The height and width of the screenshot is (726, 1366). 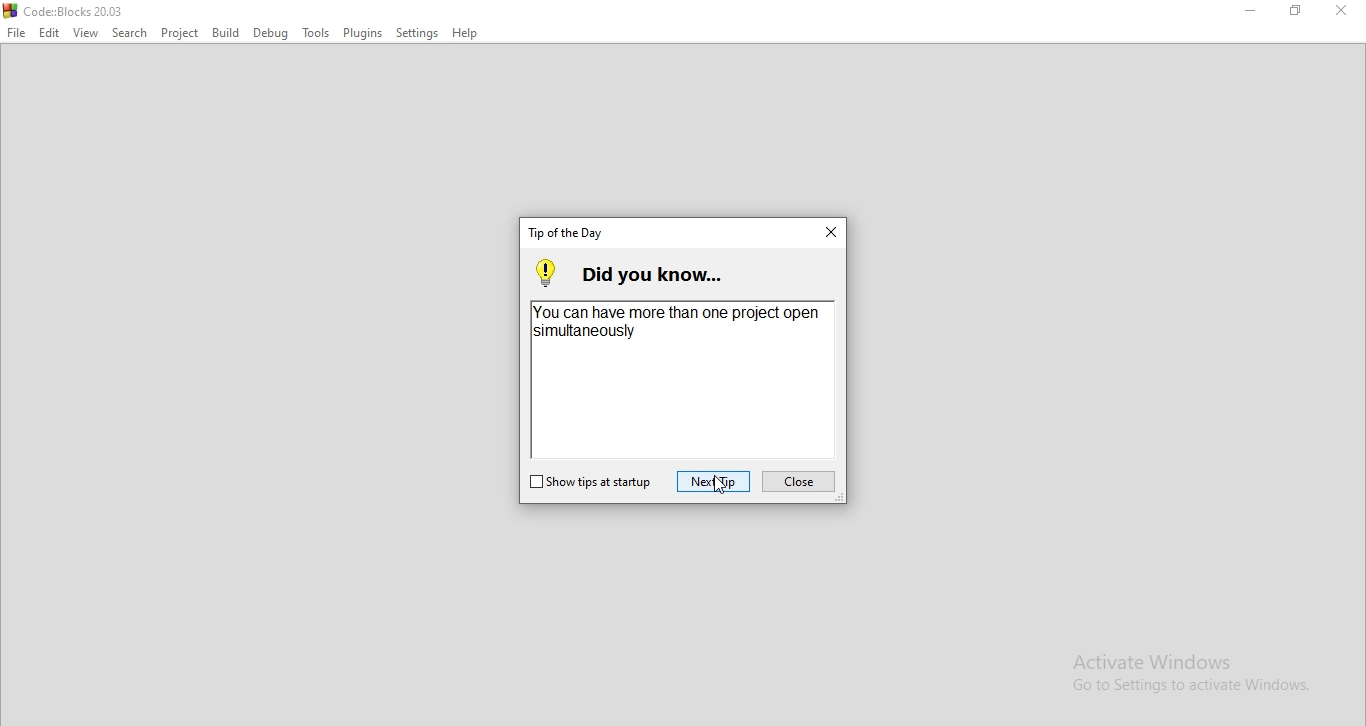 What do you see at coordinates (178, 33) in the screenshot?
I see `Project` at bounding box center [178, 33].